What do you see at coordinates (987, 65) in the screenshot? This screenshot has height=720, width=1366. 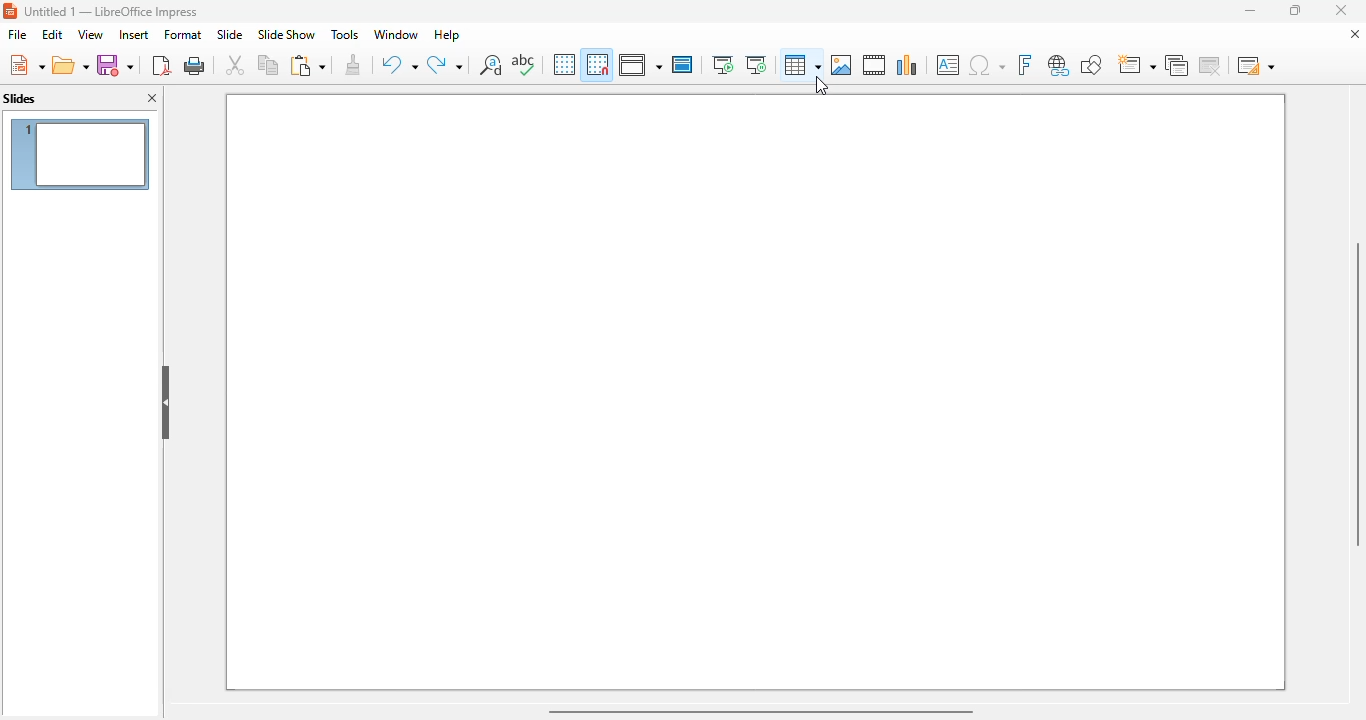 I see `insert special characters` at bounding box center [987, 65].